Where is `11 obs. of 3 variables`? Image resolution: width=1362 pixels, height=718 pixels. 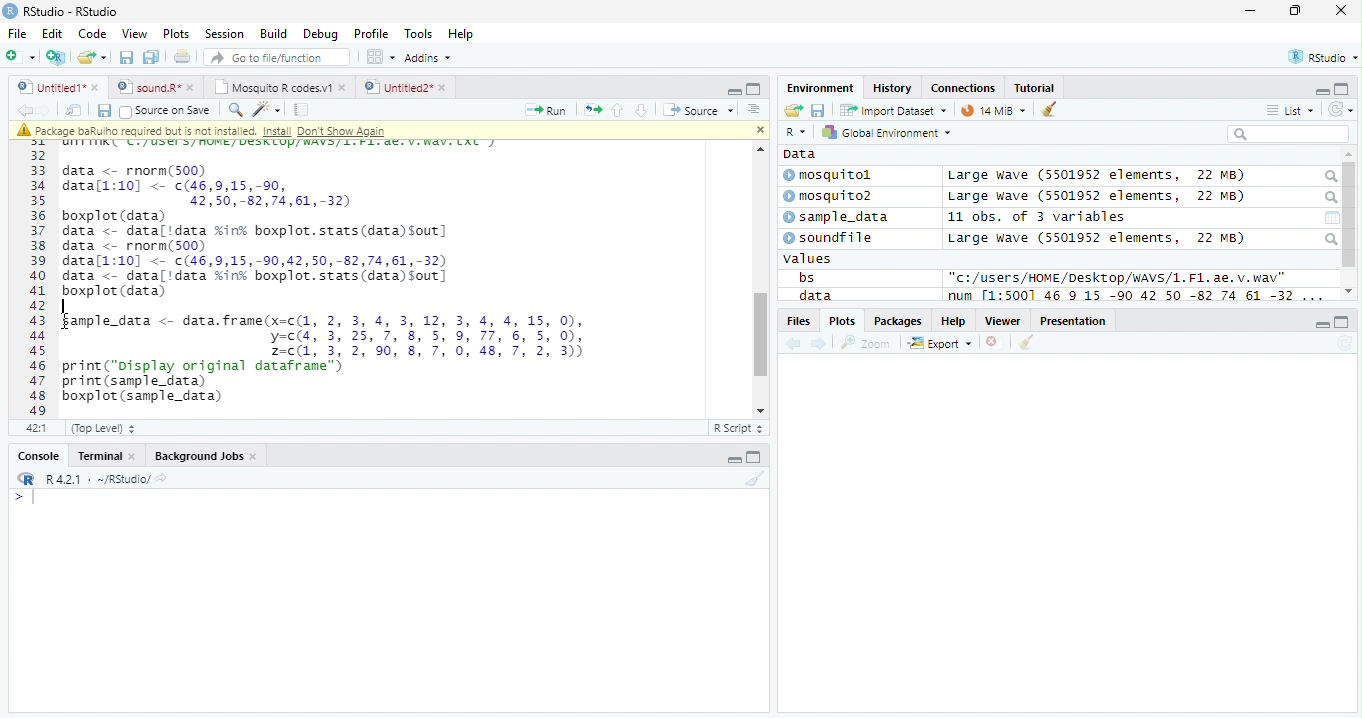
11 obs. of 3 variables is located at coordinates (1037, 217).